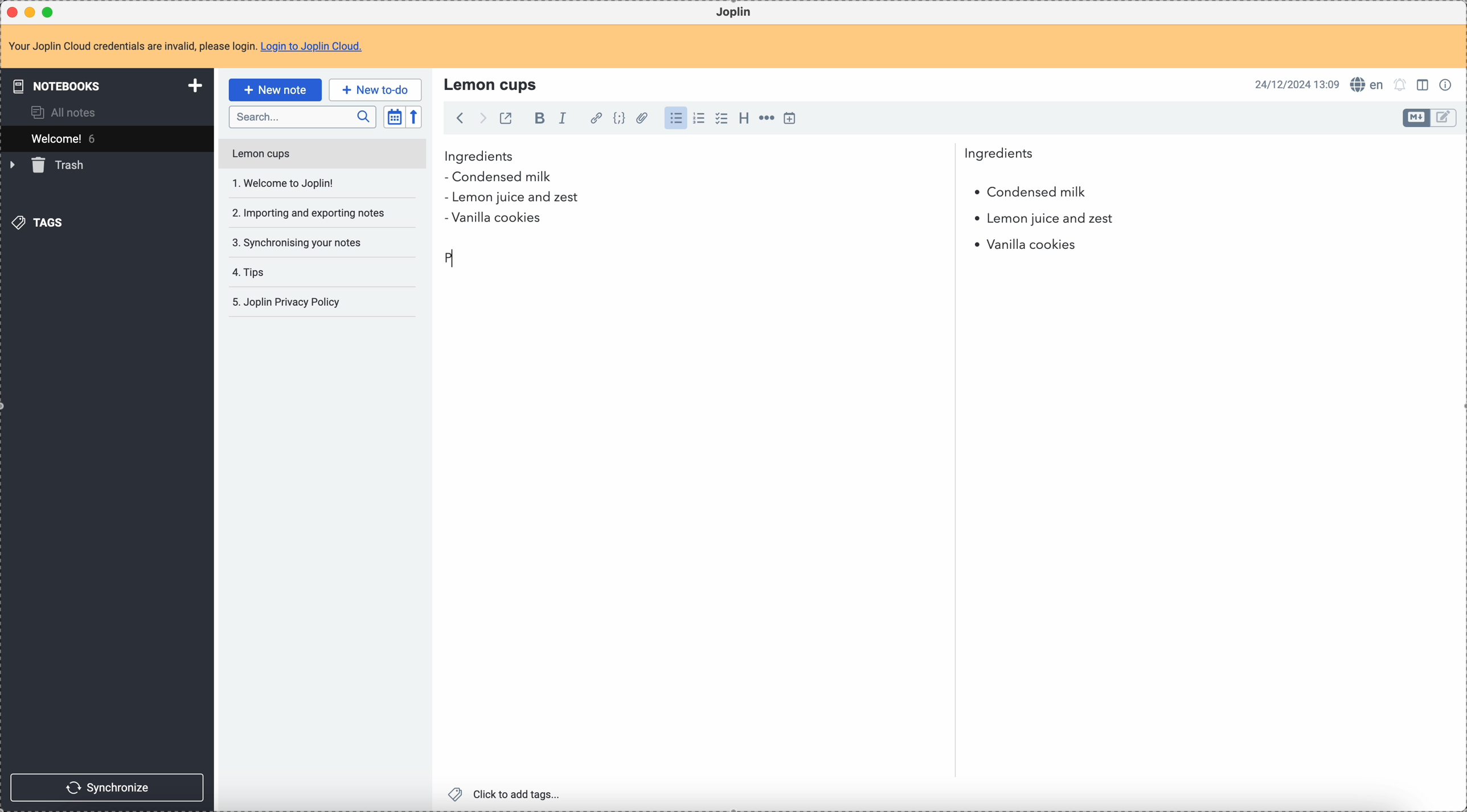 The width and height of the screenshot is (1467, 812). Describe the element at coordinates (106, 138) in the screenshot. I see `welcome` at that location.